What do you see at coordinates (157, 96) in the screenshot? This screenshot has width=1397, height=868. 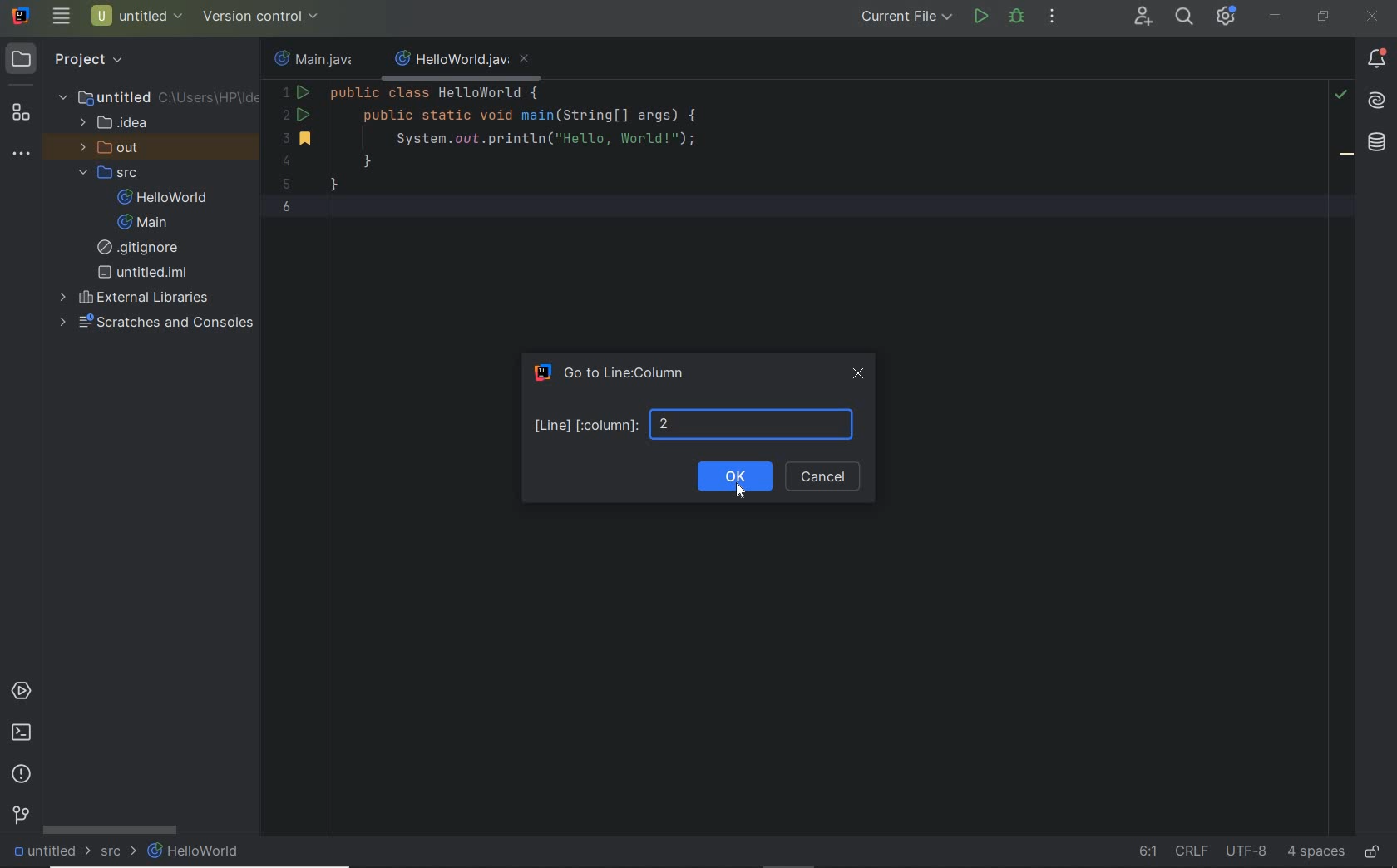 I see `untitled` at bounding box center [157, 96].